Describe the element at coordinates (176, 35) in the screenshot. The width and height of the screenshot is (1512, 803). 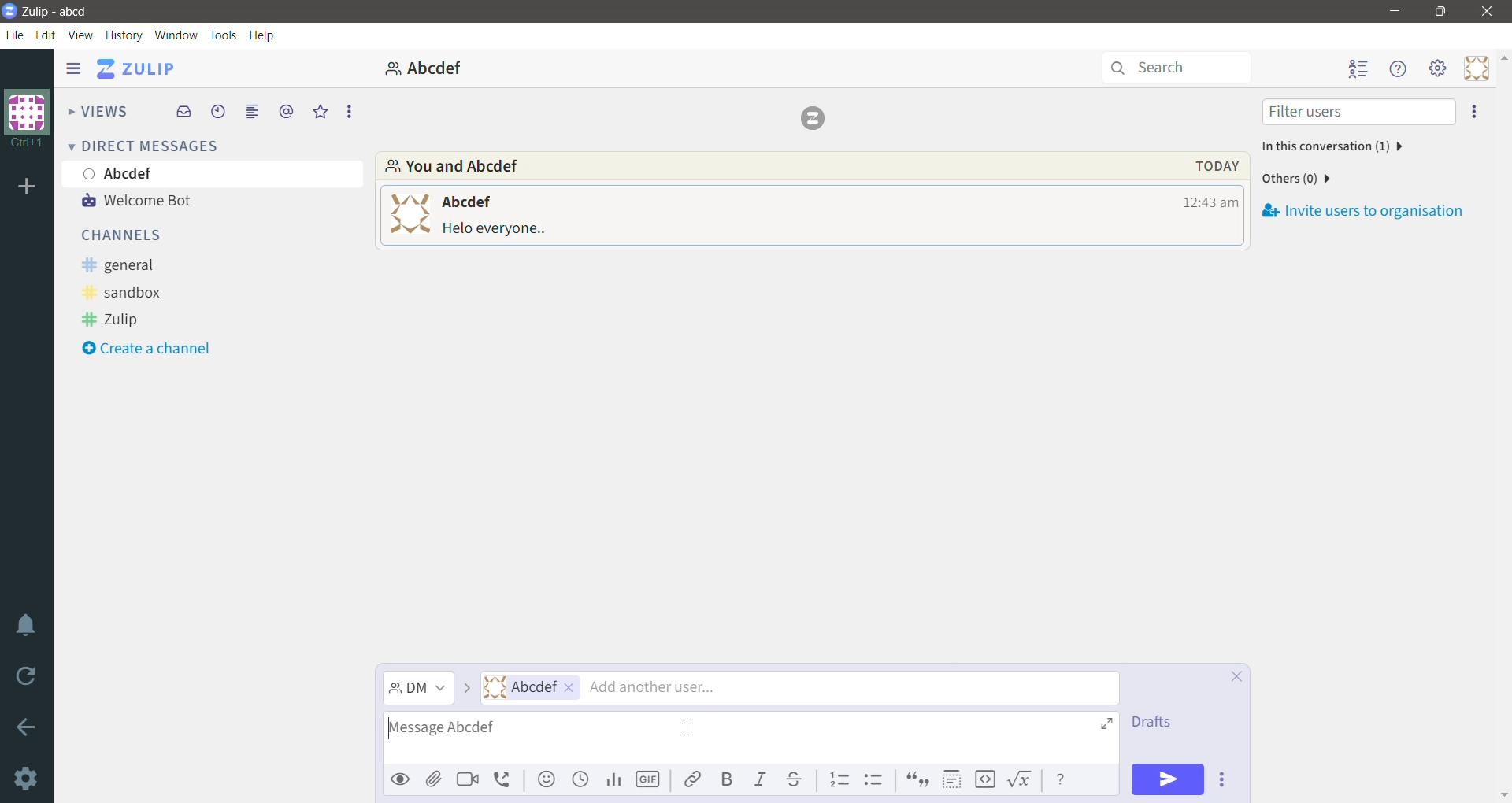
I see `Window` at that location.